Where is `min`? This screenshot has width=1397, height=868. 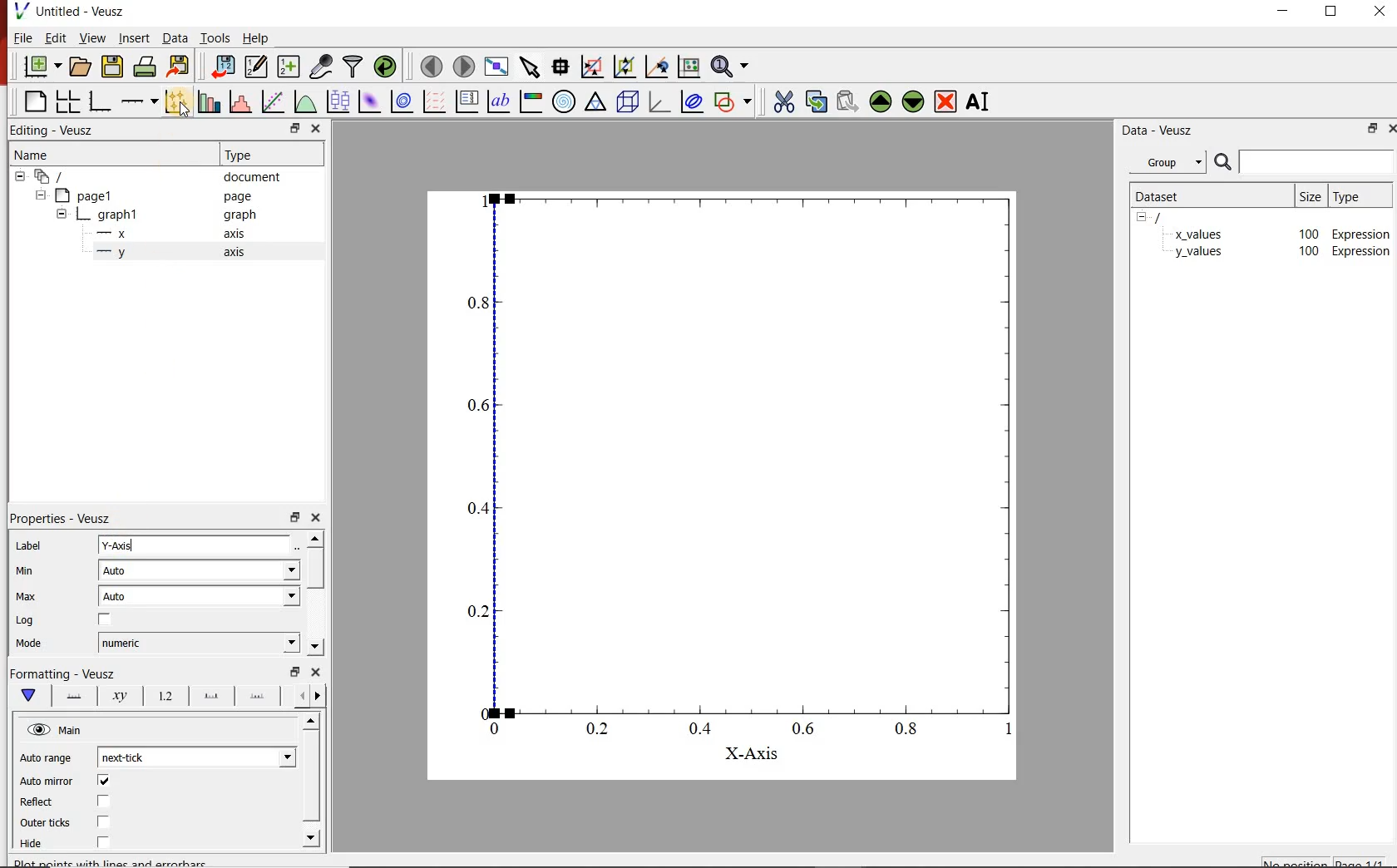 min is located at coordinates (24, 575).